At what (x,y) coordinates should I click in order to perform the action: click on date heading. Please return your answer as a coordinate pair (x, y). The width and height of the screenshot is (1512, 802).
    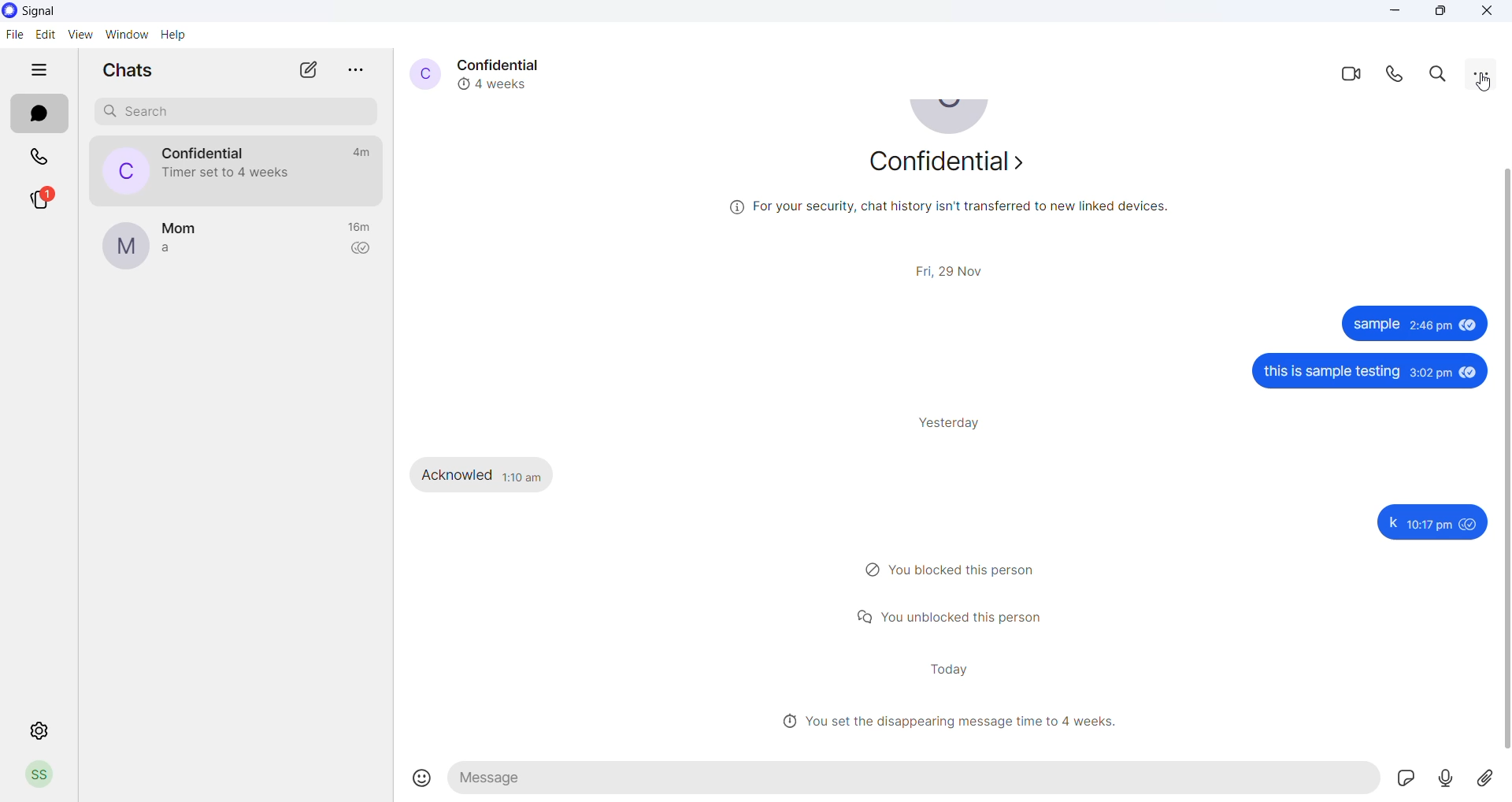
    Looking at the image, I should click on (955, 269).